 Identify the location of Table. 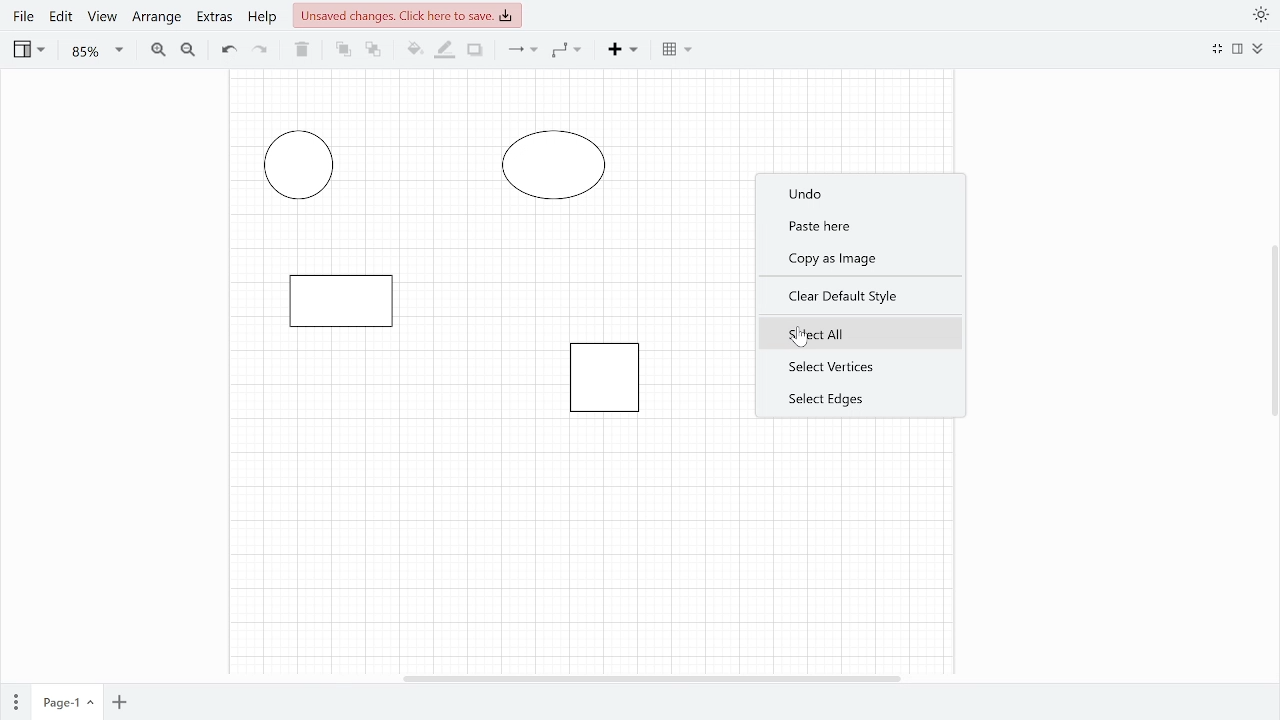
(679, 50).